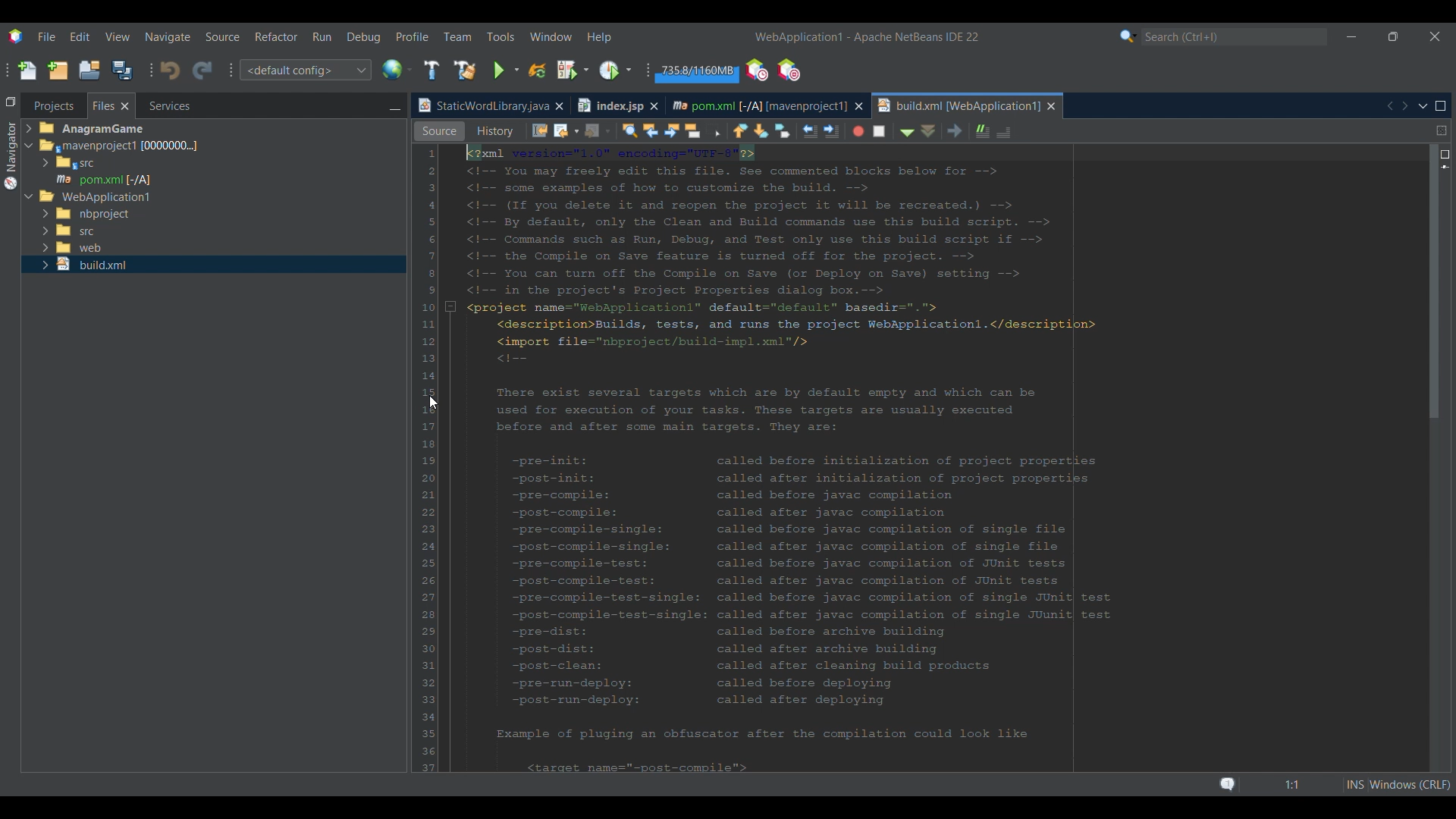 The width and height of the screenshot is (1456, 819). I want to click on Back options, so click(699, 130).